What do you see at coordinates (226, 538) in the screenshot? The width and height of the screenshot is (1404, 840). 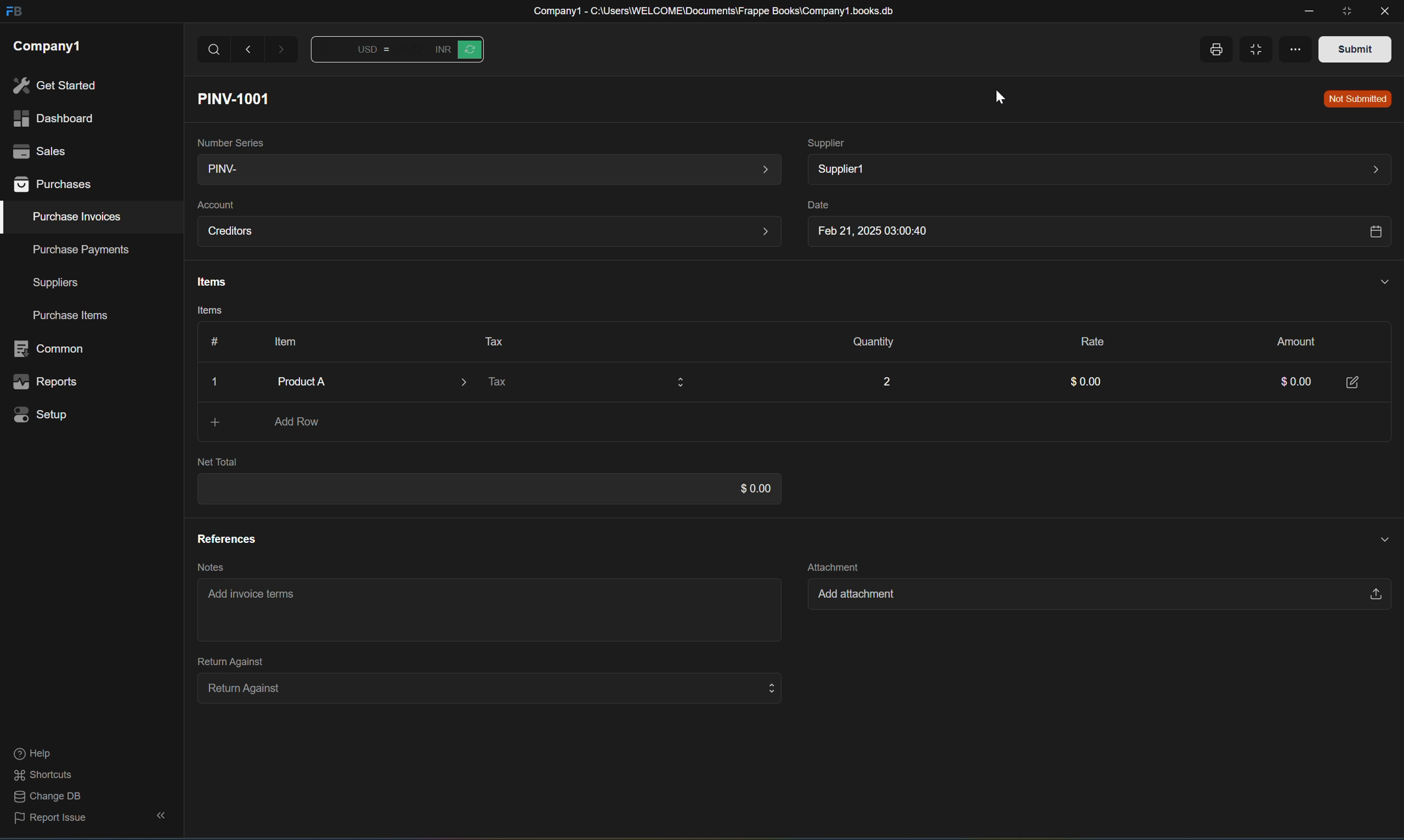 I see `References` at bounding box center [226, 538].